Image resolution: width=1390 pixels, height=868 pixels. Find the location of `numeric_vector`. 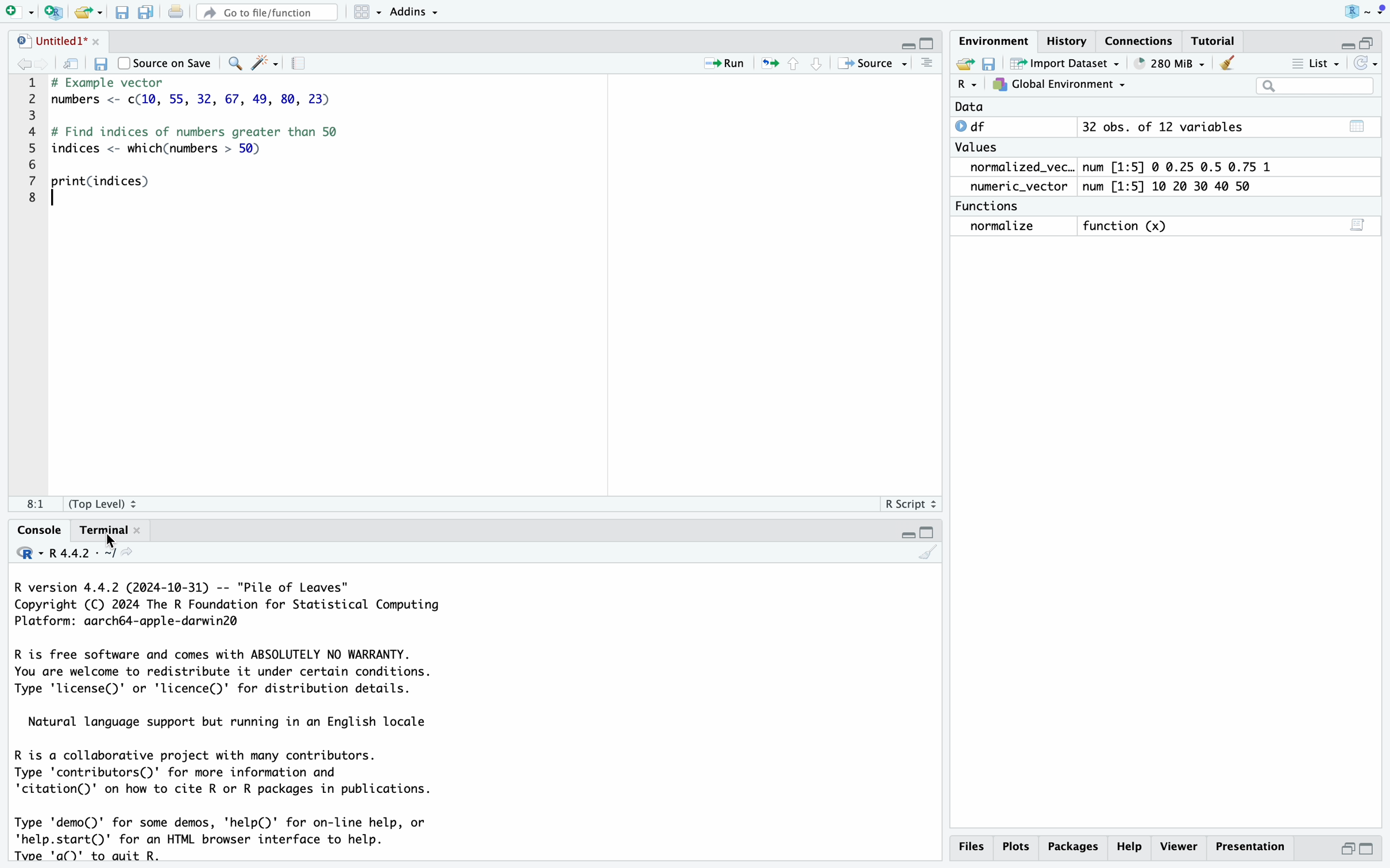

numeric_vector is located at coordinates (1023, 187).